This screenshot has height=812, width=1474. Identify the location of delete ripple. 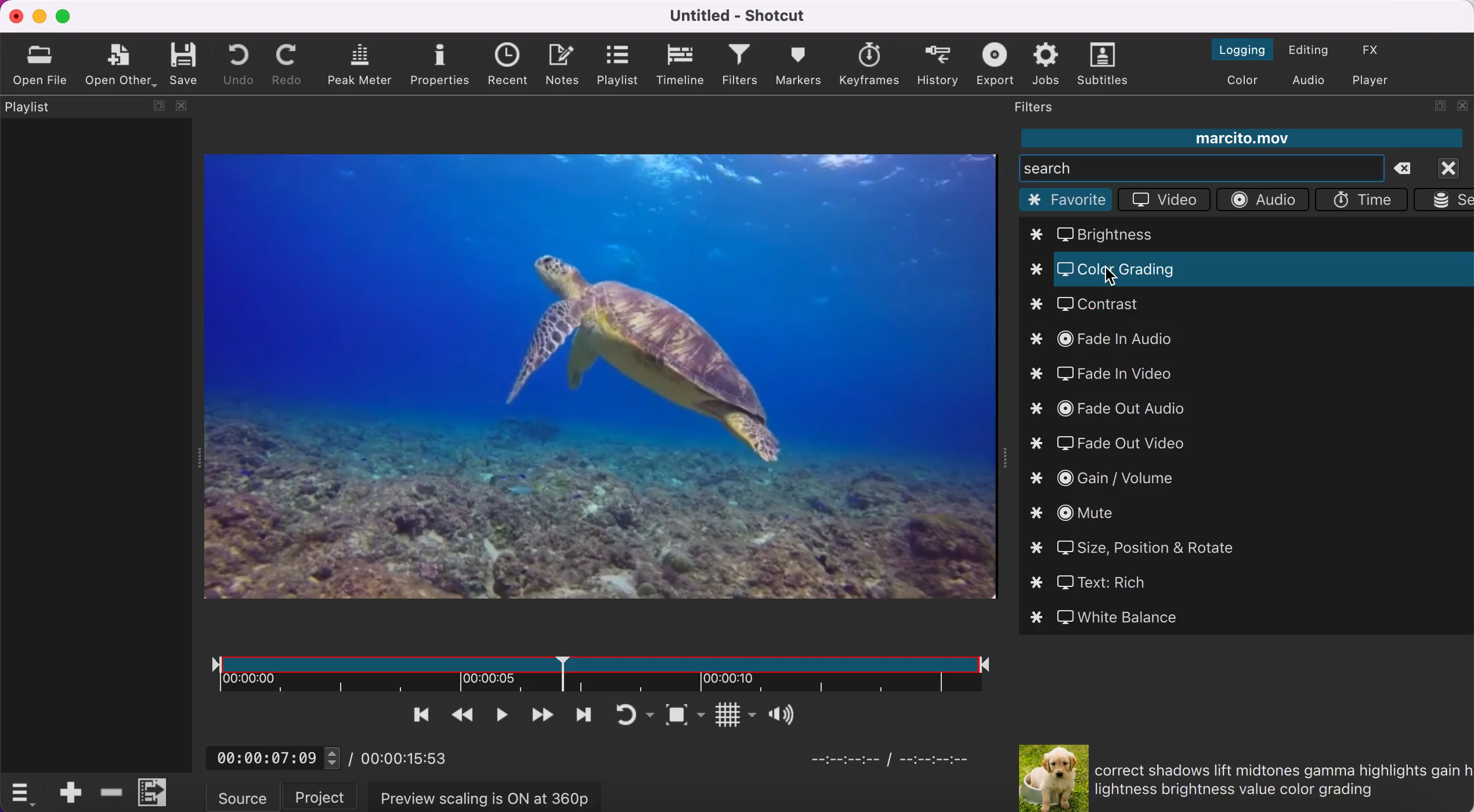
(110, 793).